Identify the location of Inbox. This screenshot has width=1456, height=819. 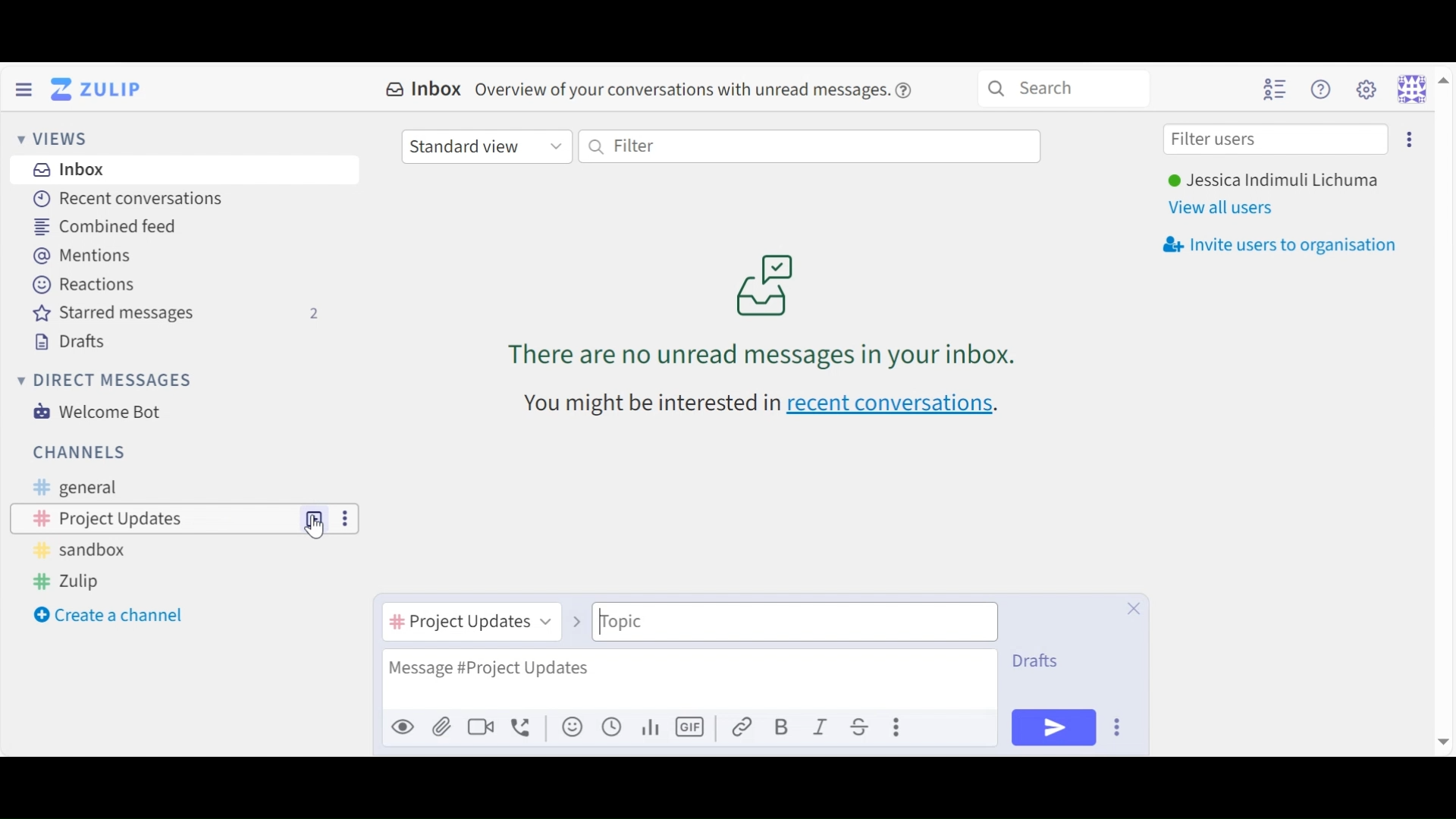
(425, 89).